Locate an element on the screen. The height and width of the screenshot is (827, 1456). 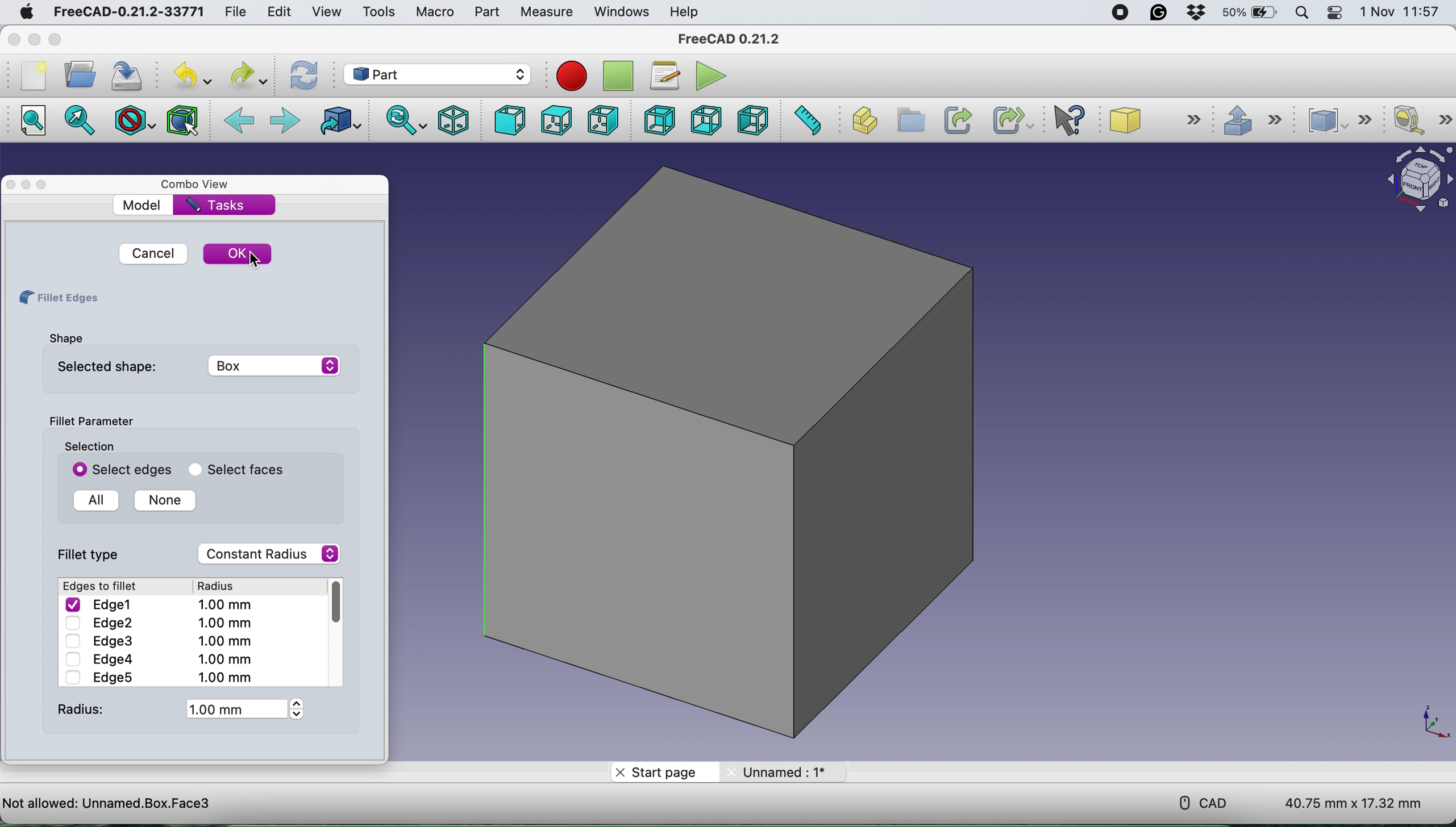
Edge5 is located at coordinates (157, 677).